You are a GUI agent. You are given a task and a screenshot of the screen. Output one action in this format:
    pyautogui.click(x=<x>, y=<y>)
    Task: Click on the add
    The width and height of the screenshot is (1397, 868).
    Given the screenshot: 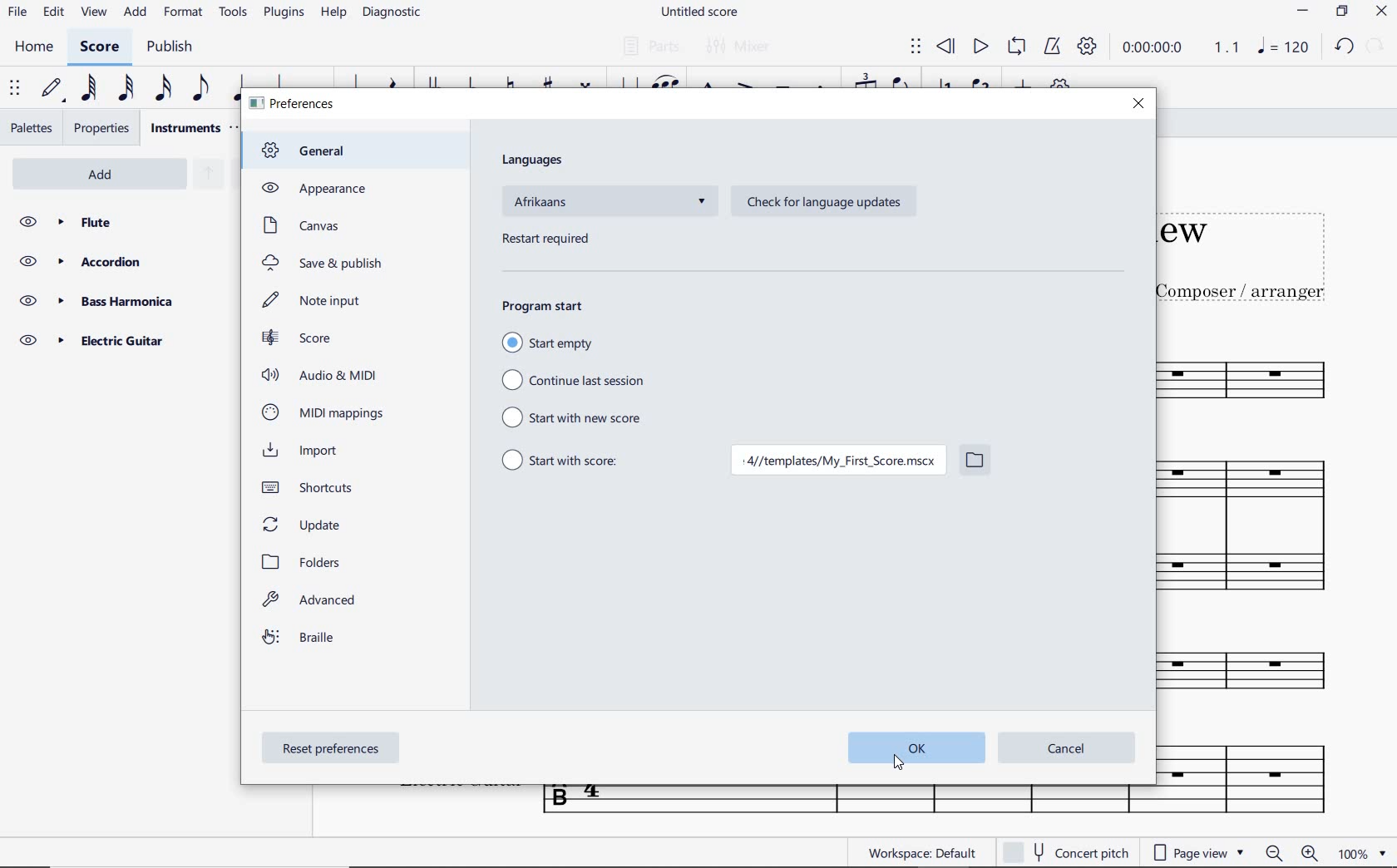 What is the action you would take?
    pyautogui.click(x=133, y=13)
    